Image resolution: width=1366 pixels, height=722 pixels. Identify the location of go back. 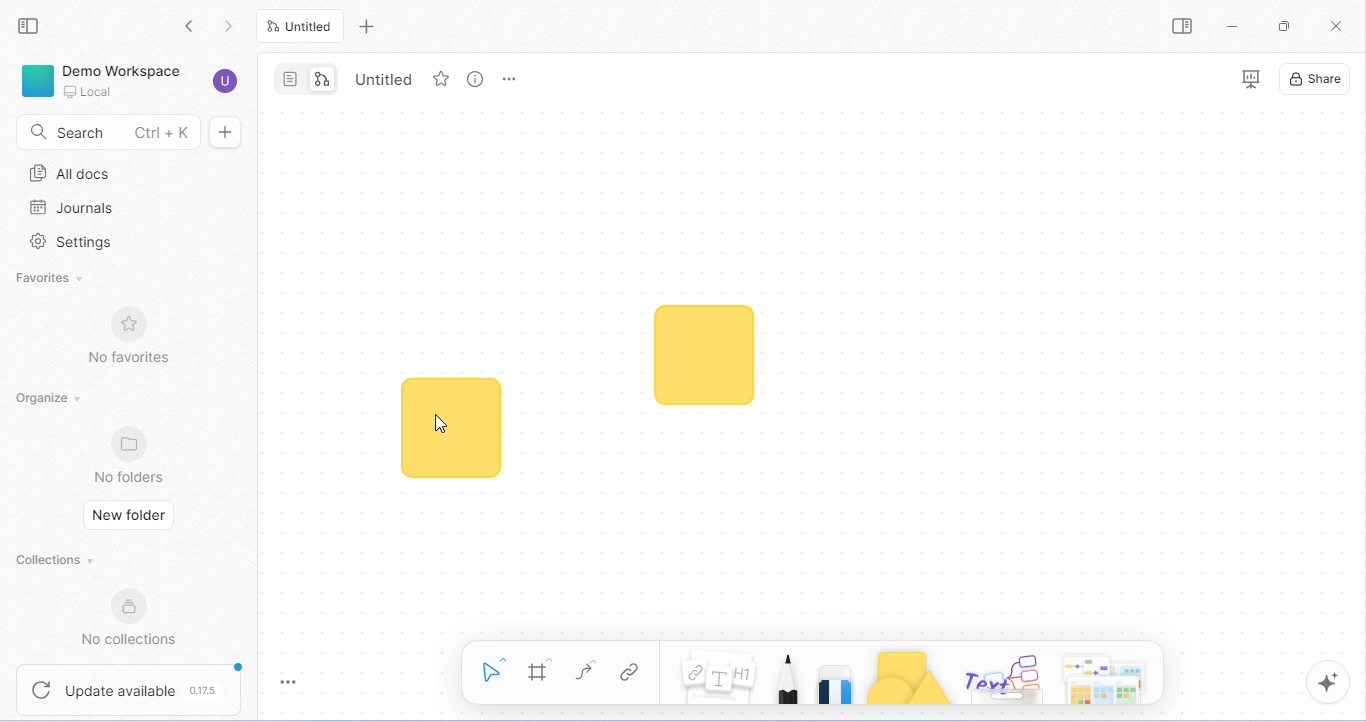
(196, 28).